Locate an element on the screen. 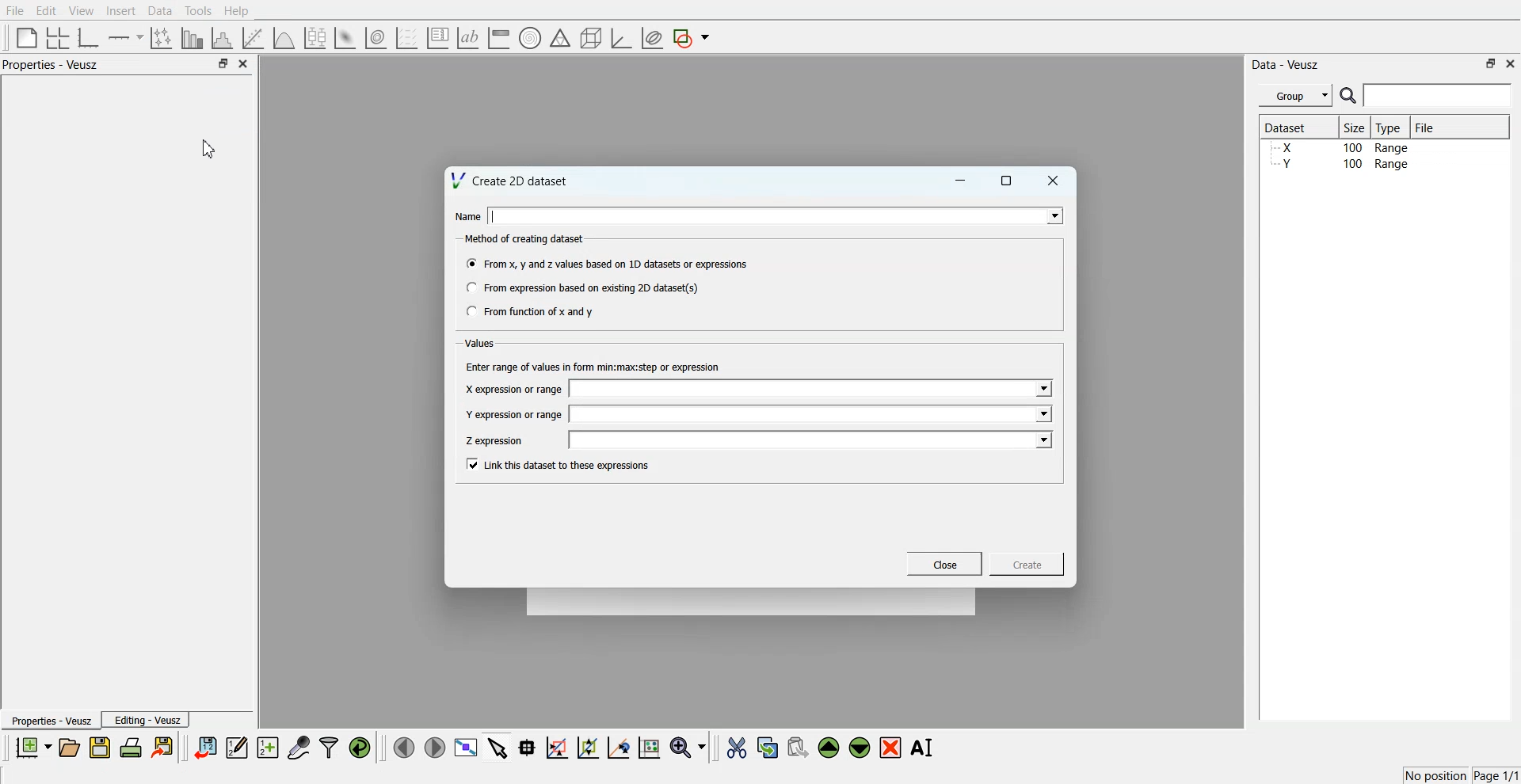 The height and width of the screenshot is (784, 1521). Maximize is located at coordinates (1491, 63).